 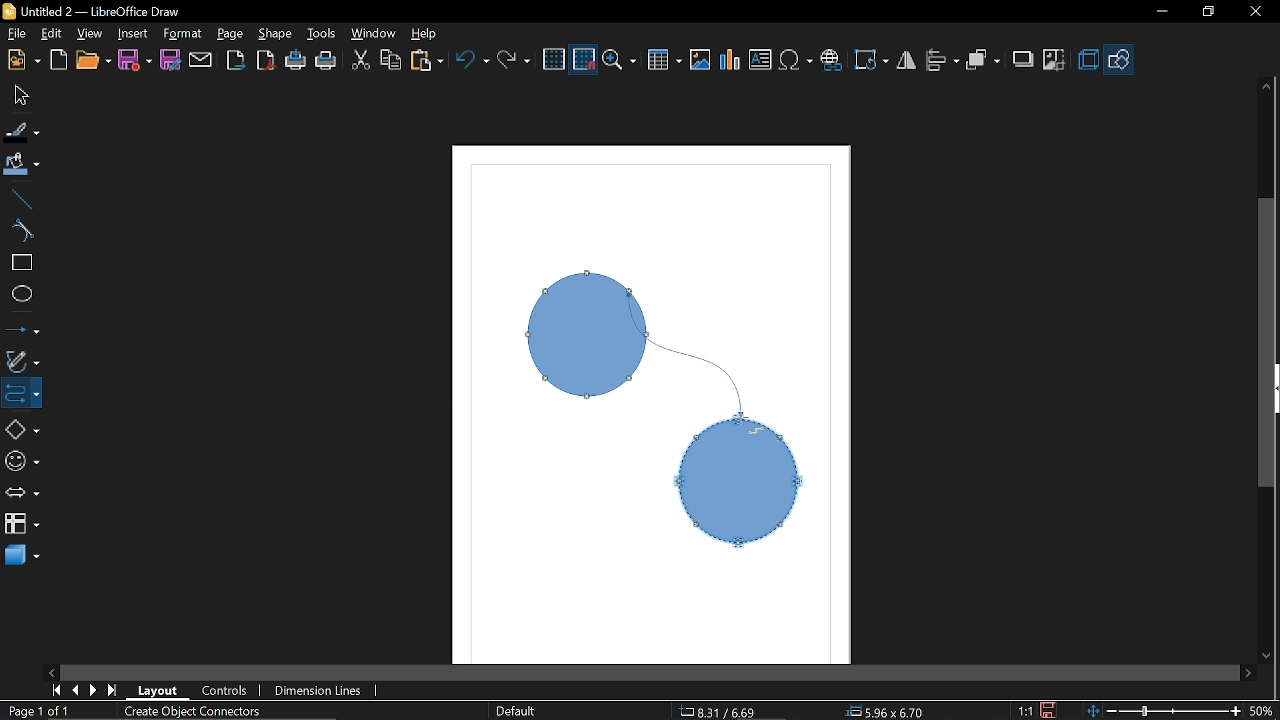 What do you see at coordinates (232, 35) in the screenshot?
I see `Page` at bounding box center [232, 35].